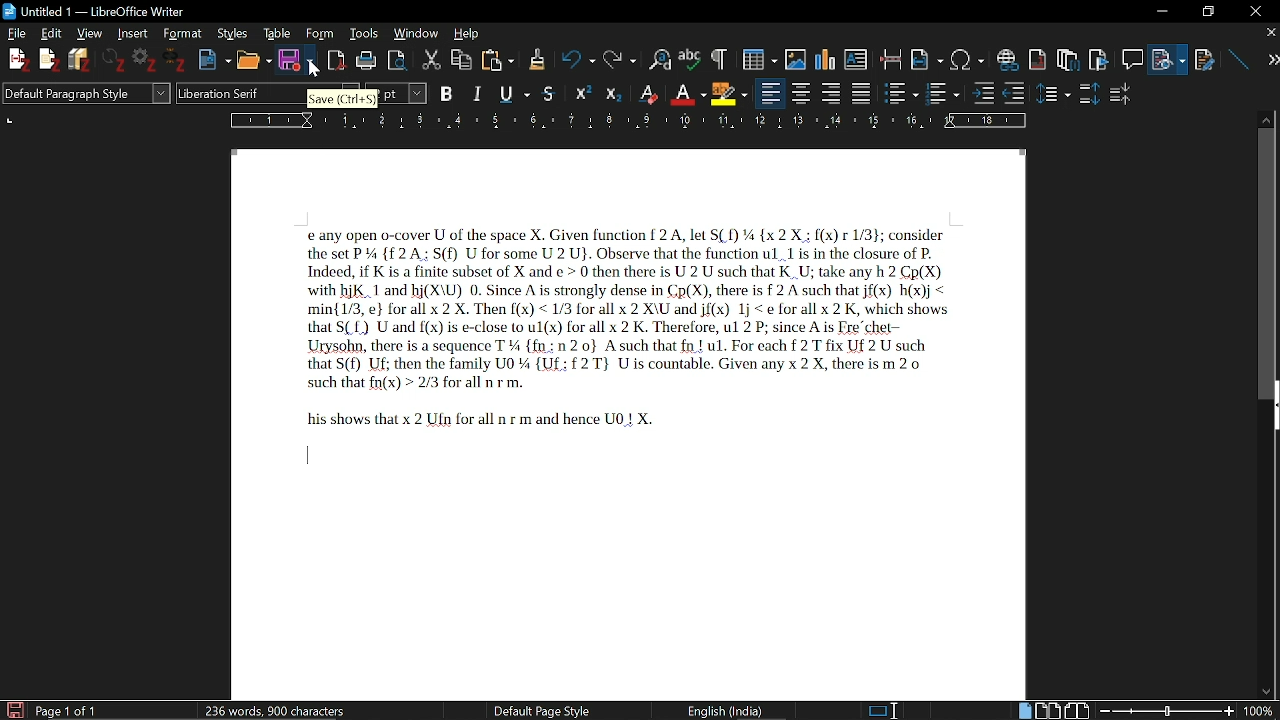 The image size is (1280, 720). I want to click on Strike through, so click(550, 93).